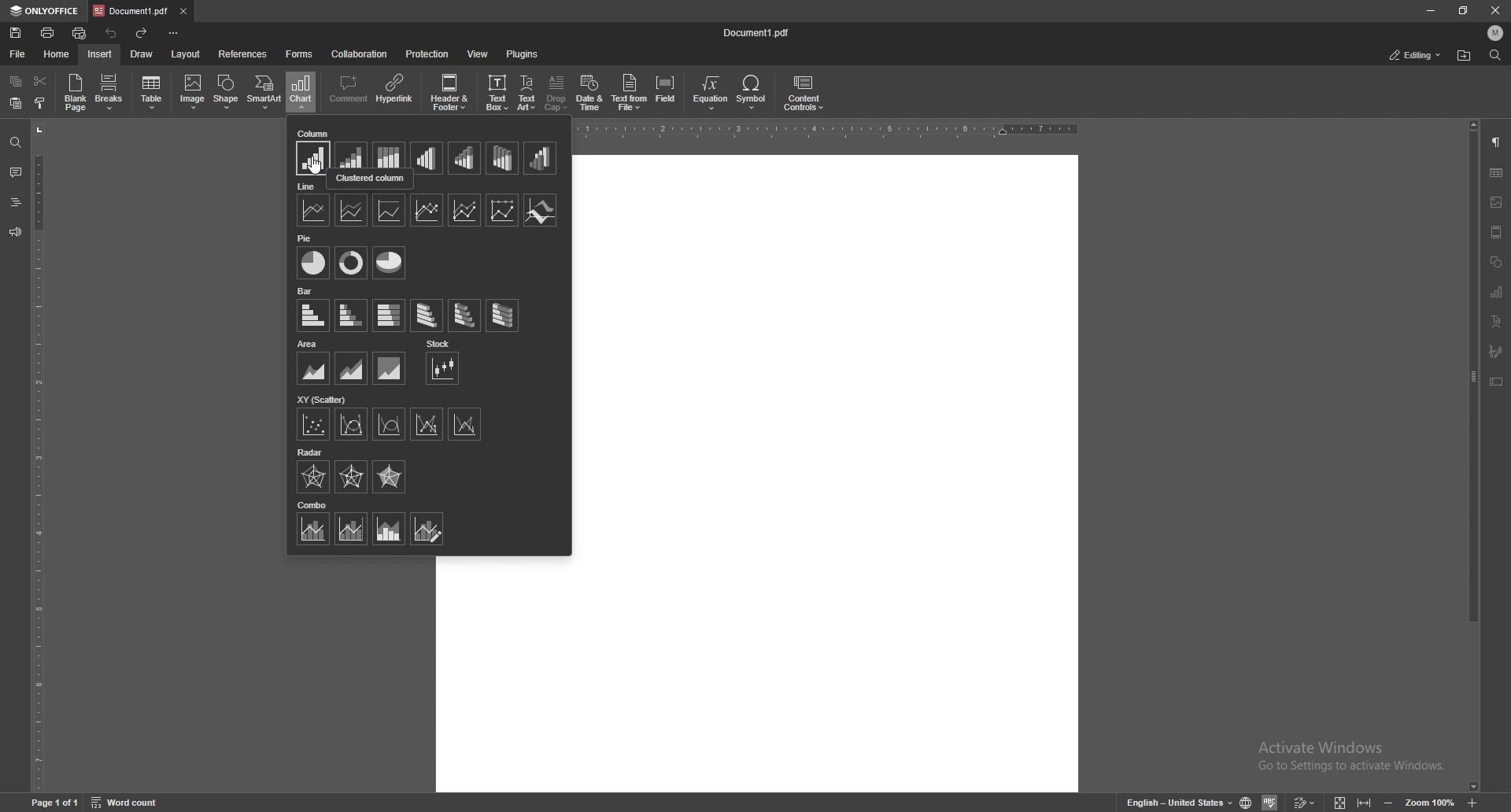  Describe the element at coordinates (427, 209) in the screenshot. I see `line with markers` at that location.